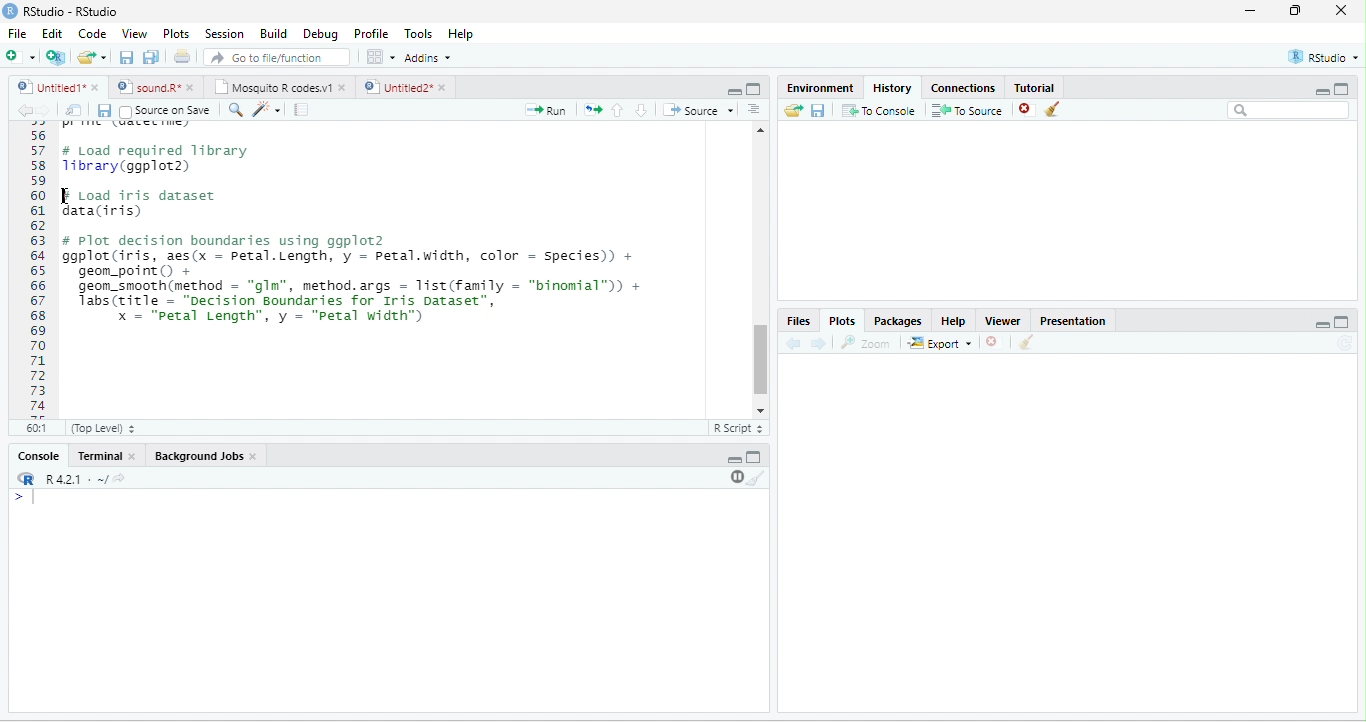 This screenshot has width=1366, height=722. Describe the element at coordinates (197, 456) in the screenshot. I see `Background Jobs` at that location.